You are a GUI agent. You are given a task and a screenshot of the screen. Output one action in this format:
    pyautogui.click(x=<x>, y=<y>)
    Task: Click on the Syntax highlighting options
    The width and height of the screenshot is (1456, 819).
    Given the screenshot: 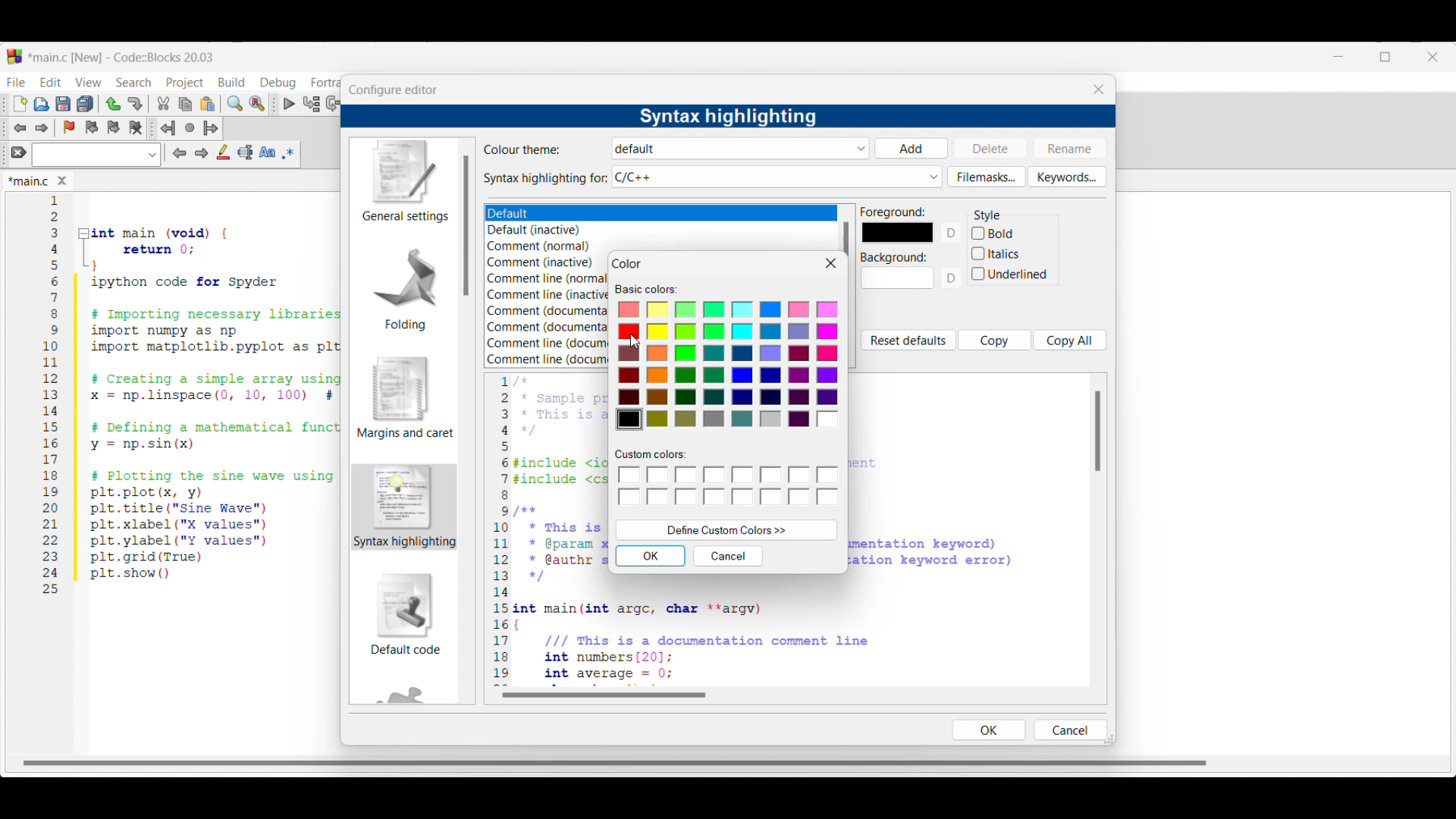 What is the action you would take?
    pyautogui.click(x=777, y=177)
    